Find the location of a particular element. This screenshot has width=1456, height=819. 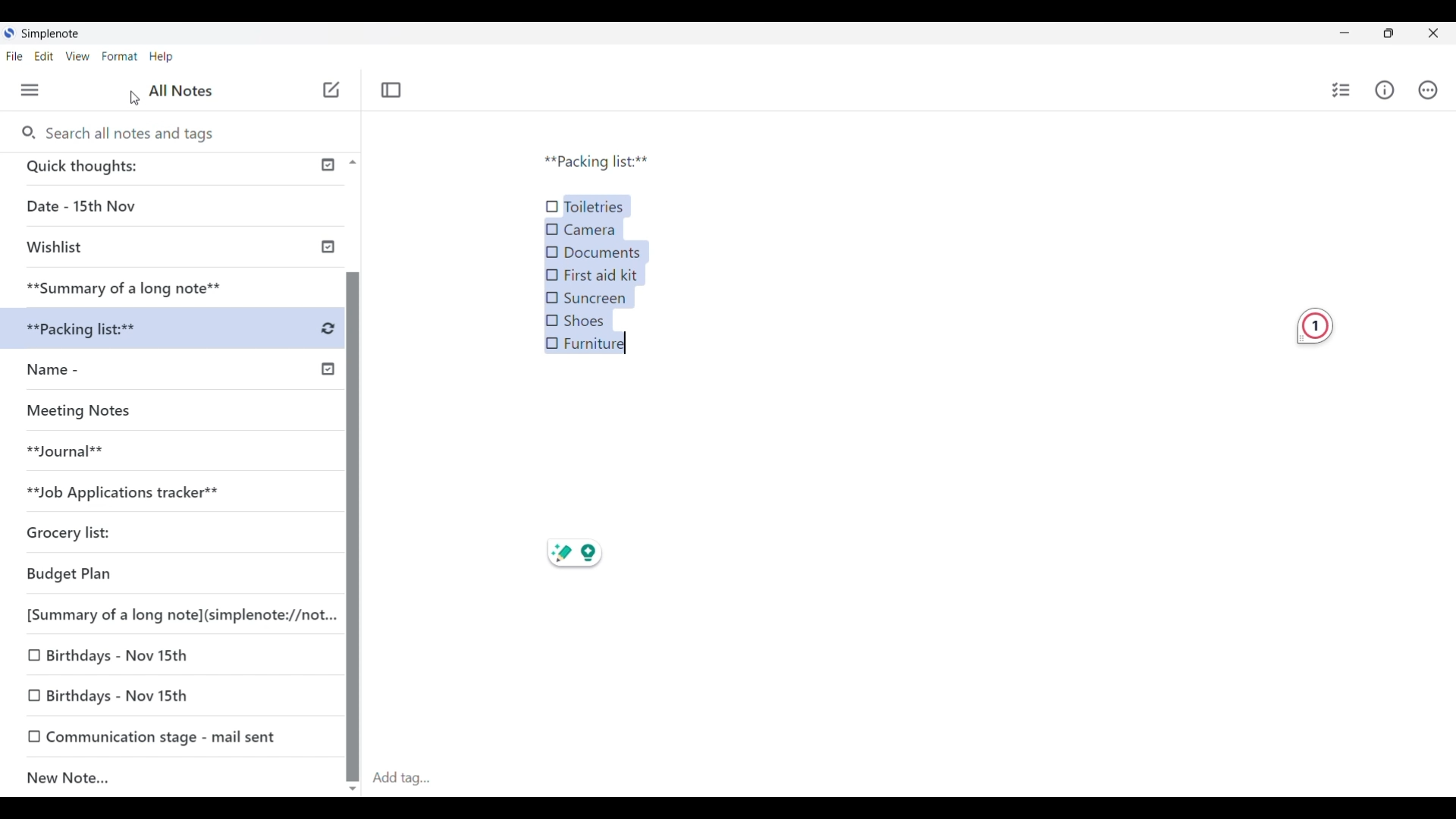

Close interface is located at coordinates (1433, 33).